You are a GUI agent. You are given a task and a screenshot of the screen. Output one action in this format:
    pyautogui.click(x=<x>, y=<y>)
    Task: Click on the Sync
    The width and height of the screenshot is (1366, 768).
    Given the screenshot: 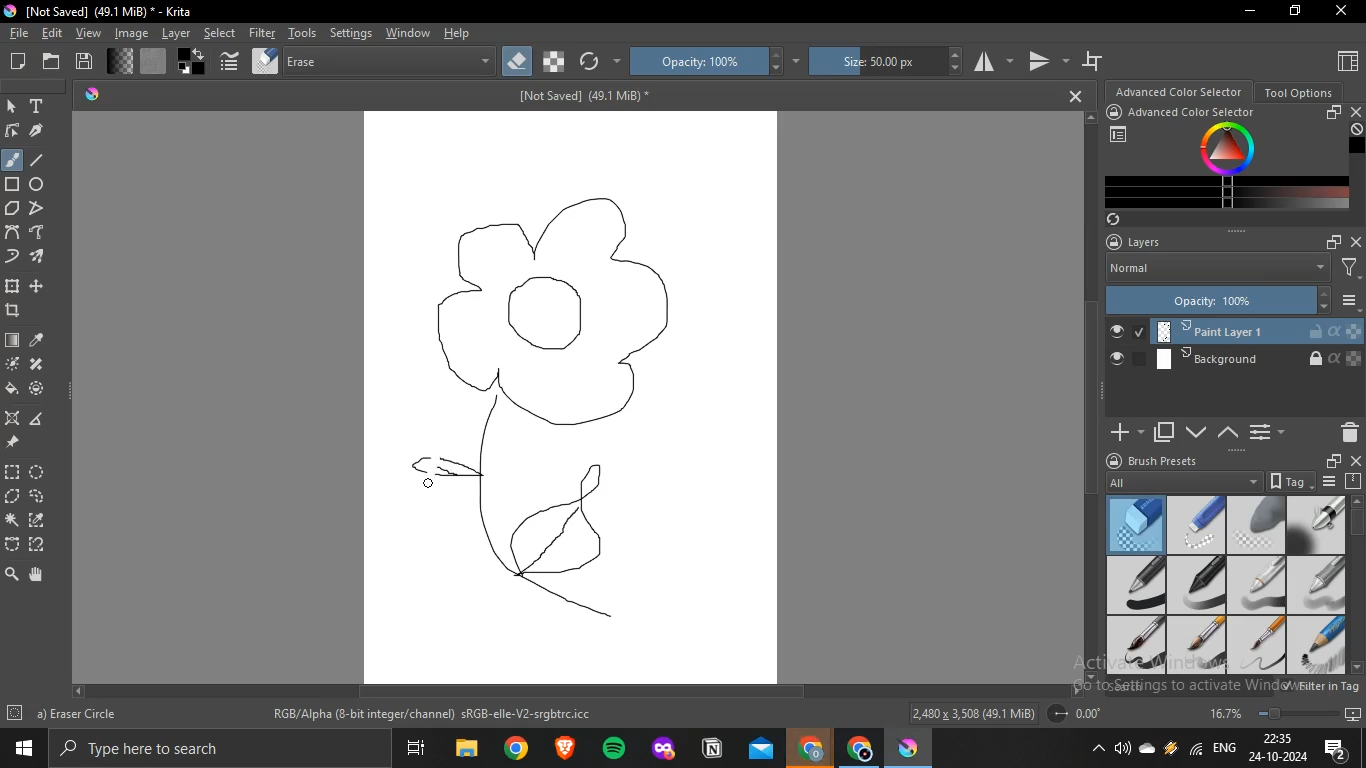 What is the action you would take?
    pyautogui.click(x=1117, y=219)
    